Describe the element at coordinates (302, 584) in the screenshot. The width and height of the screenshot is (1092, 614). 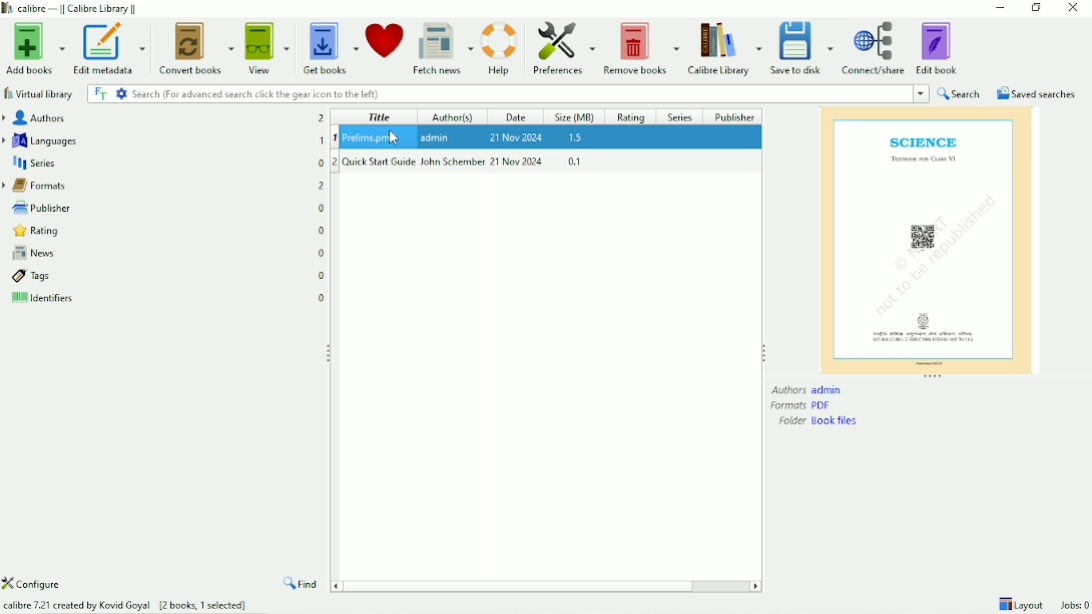
I see `Find` at that location.